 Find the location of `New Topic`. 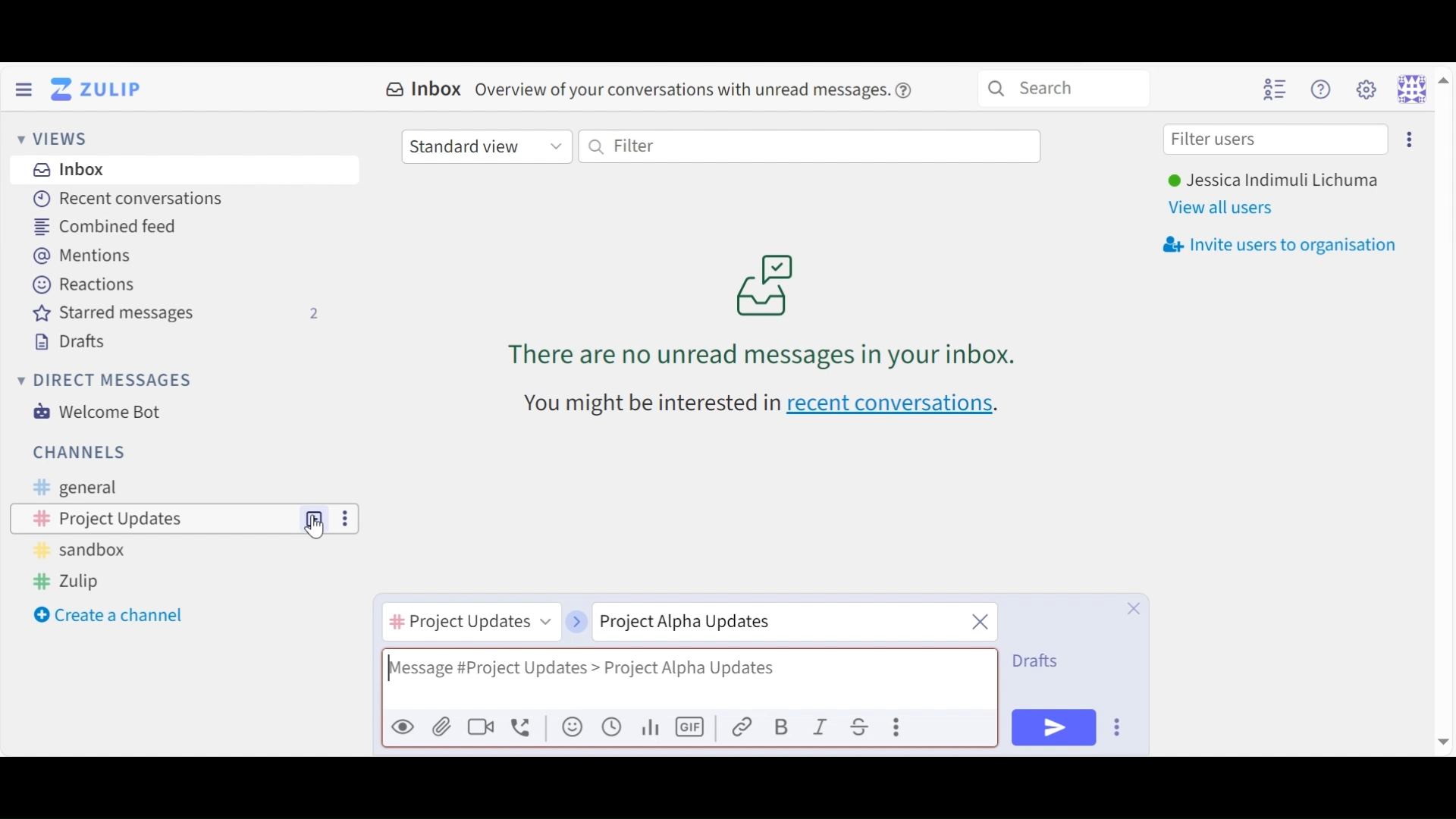

New Topic is located at coordinates (315, 518).